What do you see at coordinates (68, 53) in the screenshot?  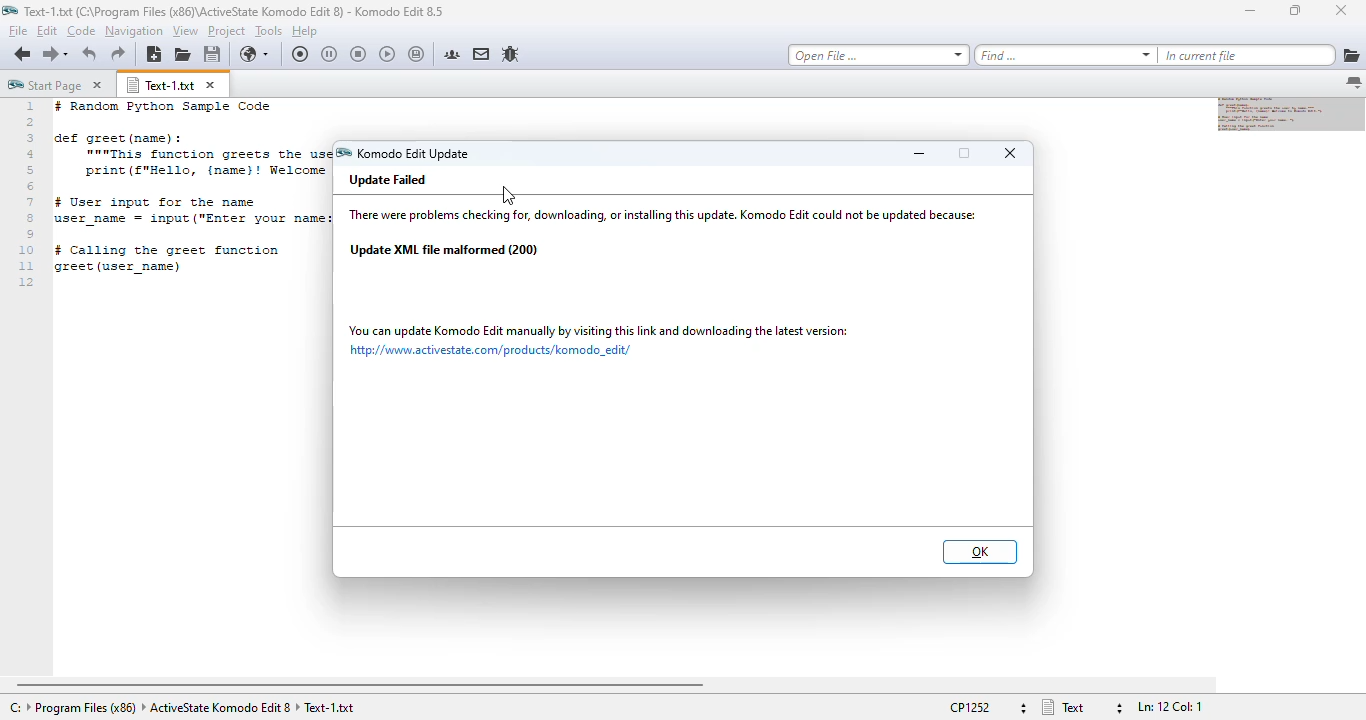 I see `recent locations` at bounding box center [68, 53].